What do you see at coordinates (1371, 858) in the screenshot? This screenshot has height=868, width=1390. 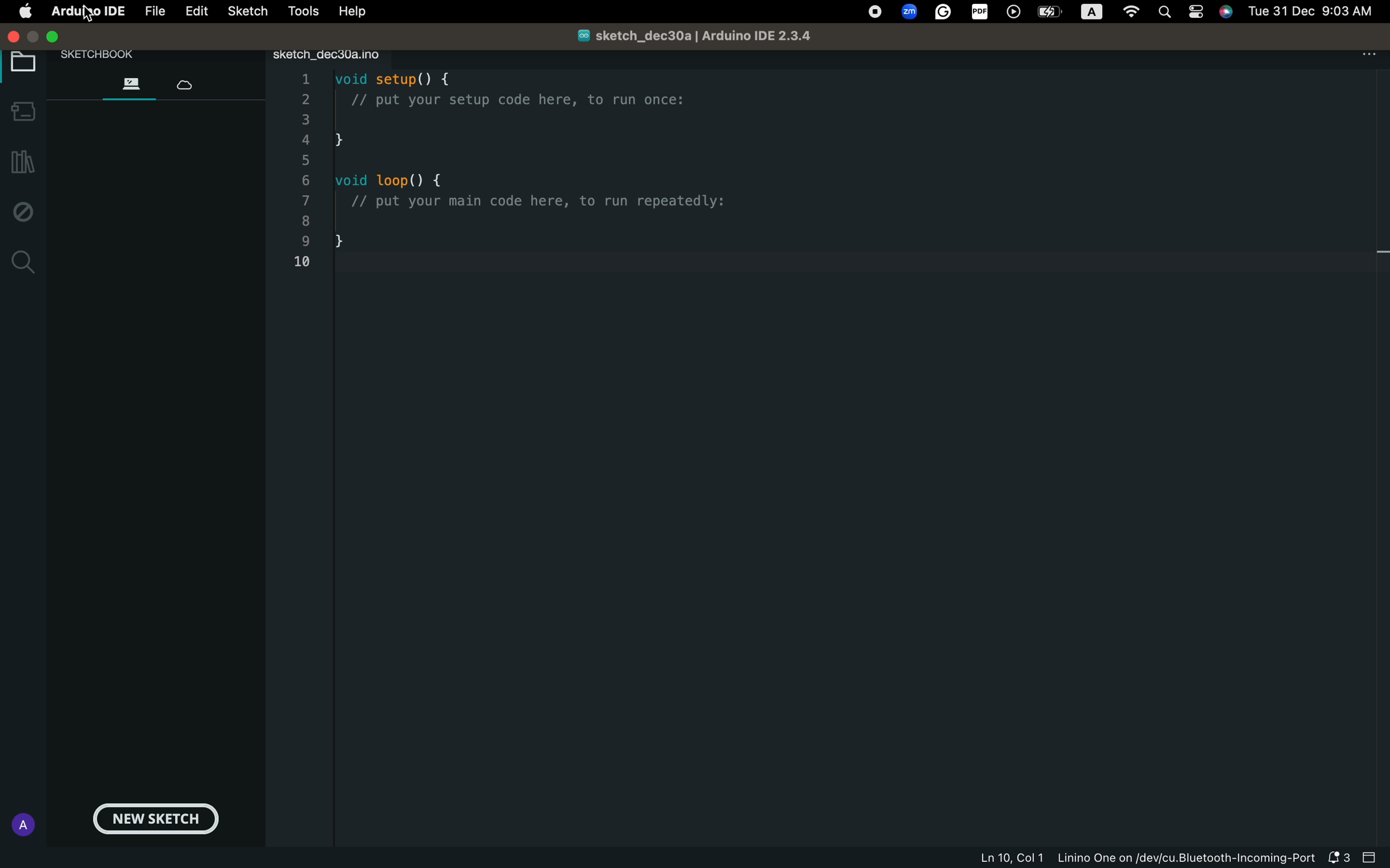 I see `close bar` at bounding box center [1371, 858].